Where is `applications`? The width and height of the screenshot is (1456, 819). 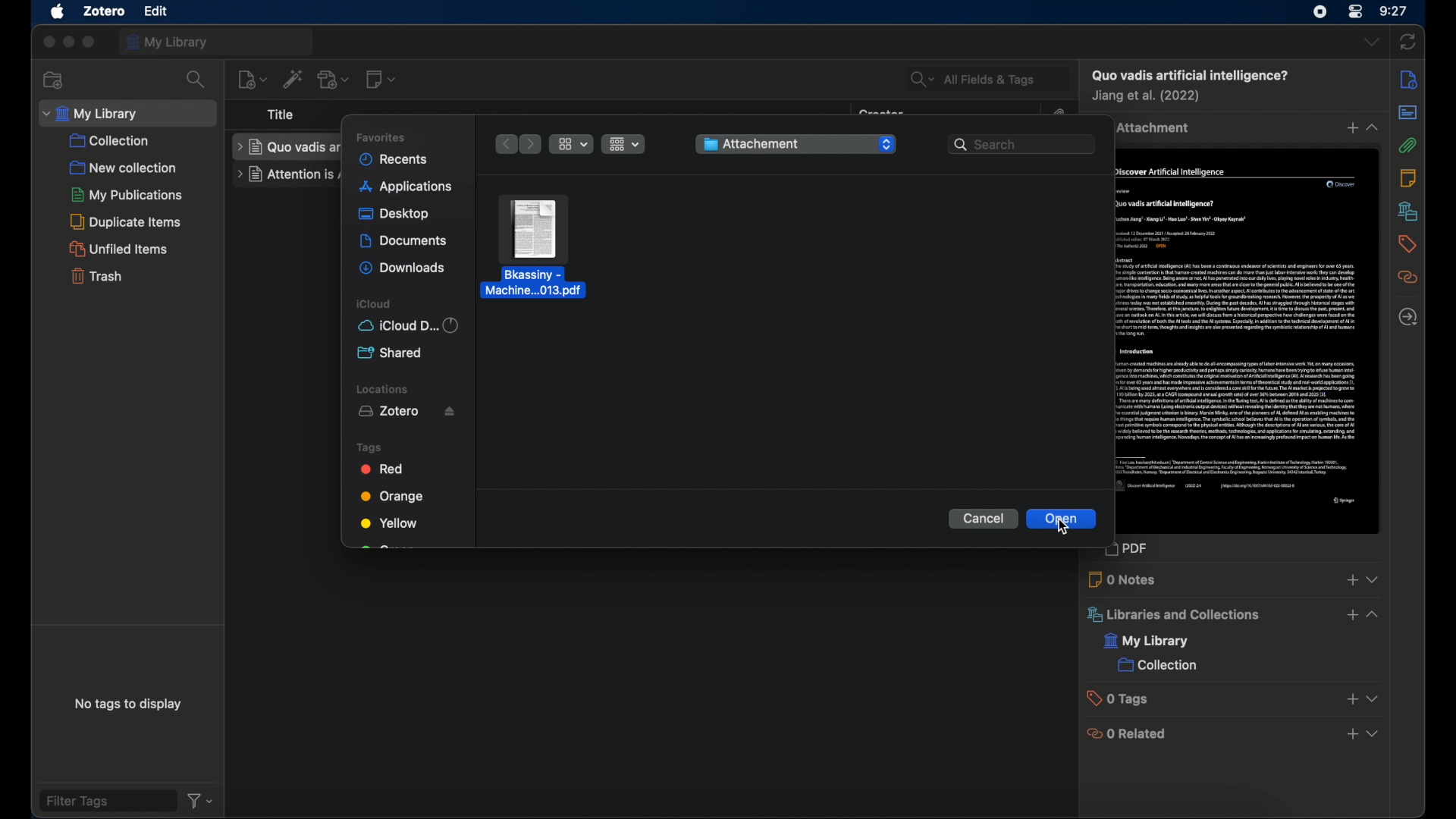 applications is located at coordinates (406, 187).